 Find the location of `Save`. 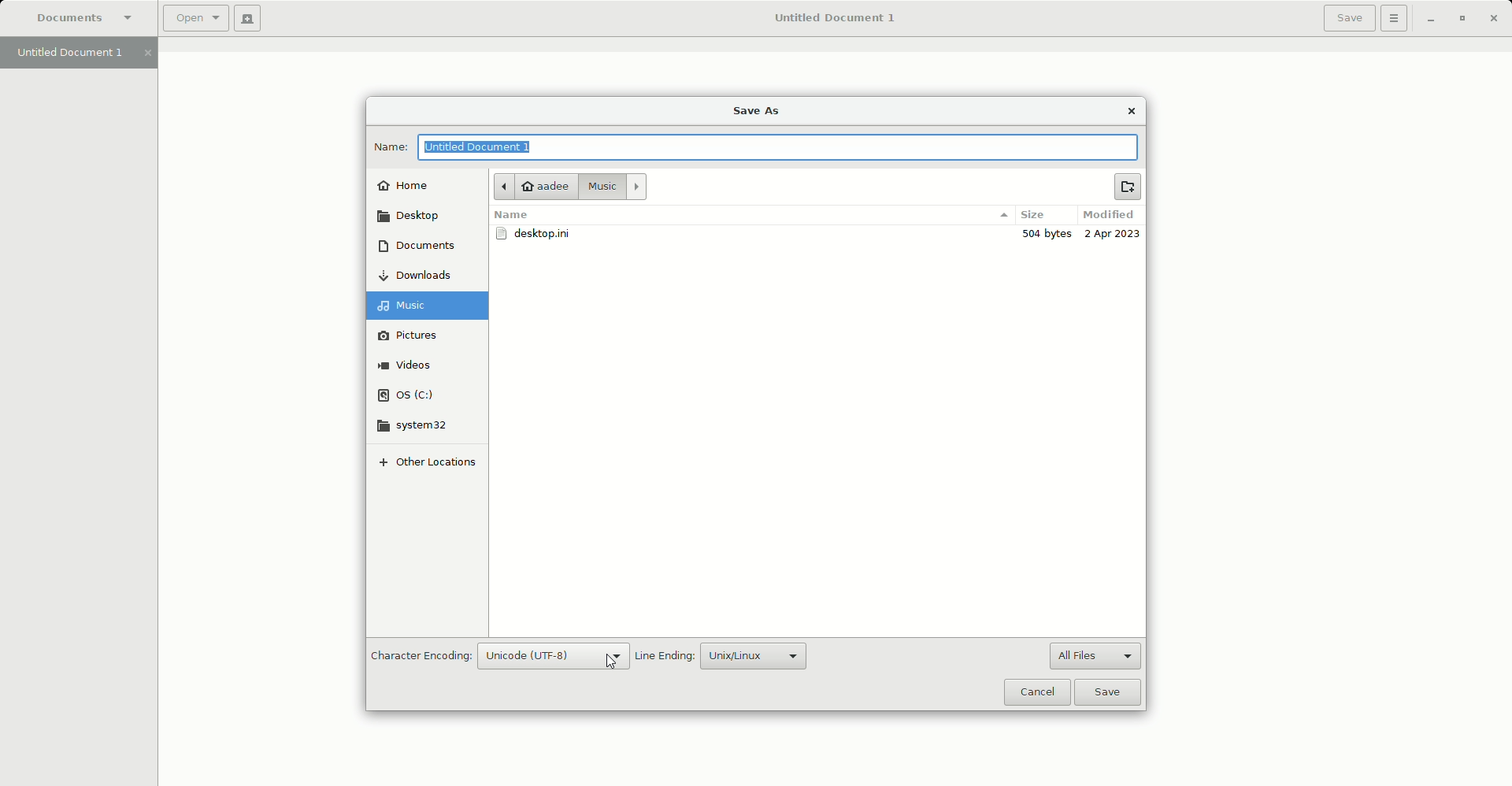

Save is located at coordinates (1346, 18).